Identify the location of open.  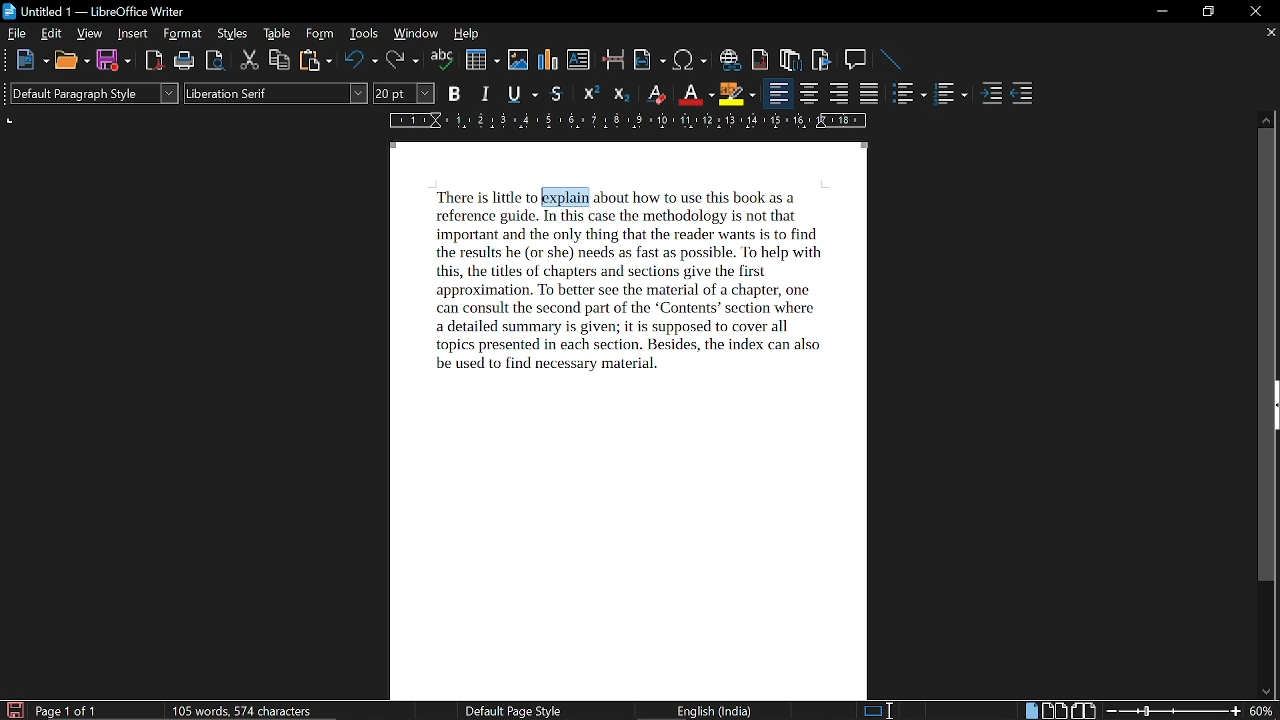
(71, 61).